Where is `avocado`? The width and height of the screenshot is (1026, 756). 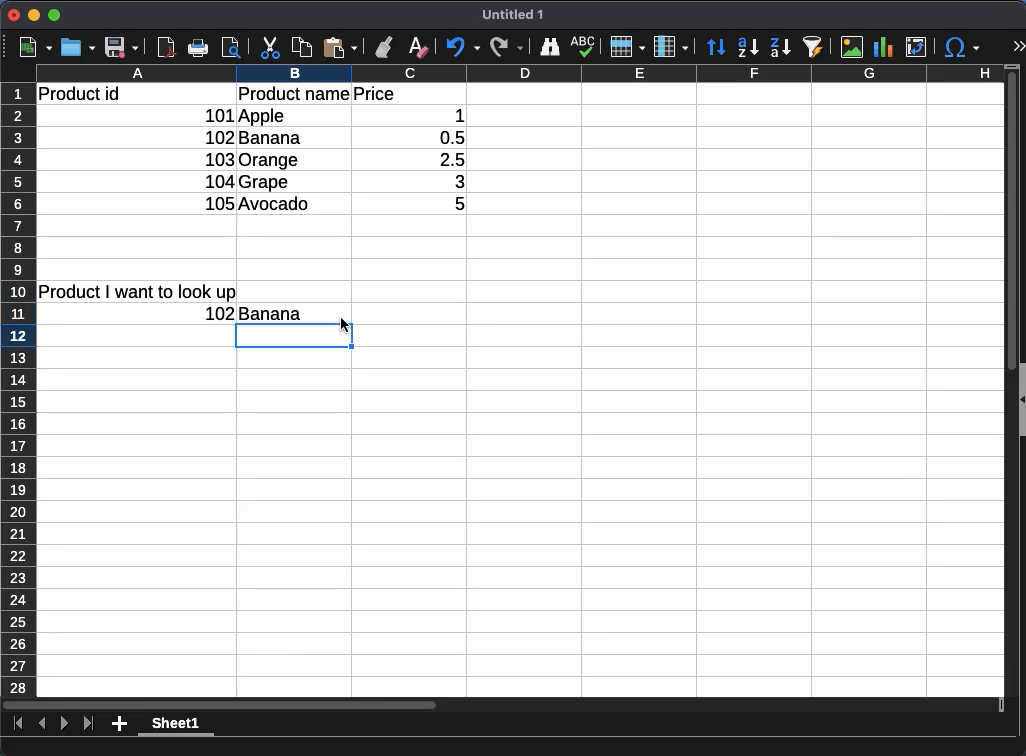 avocado is located at coordinates (277, 204).